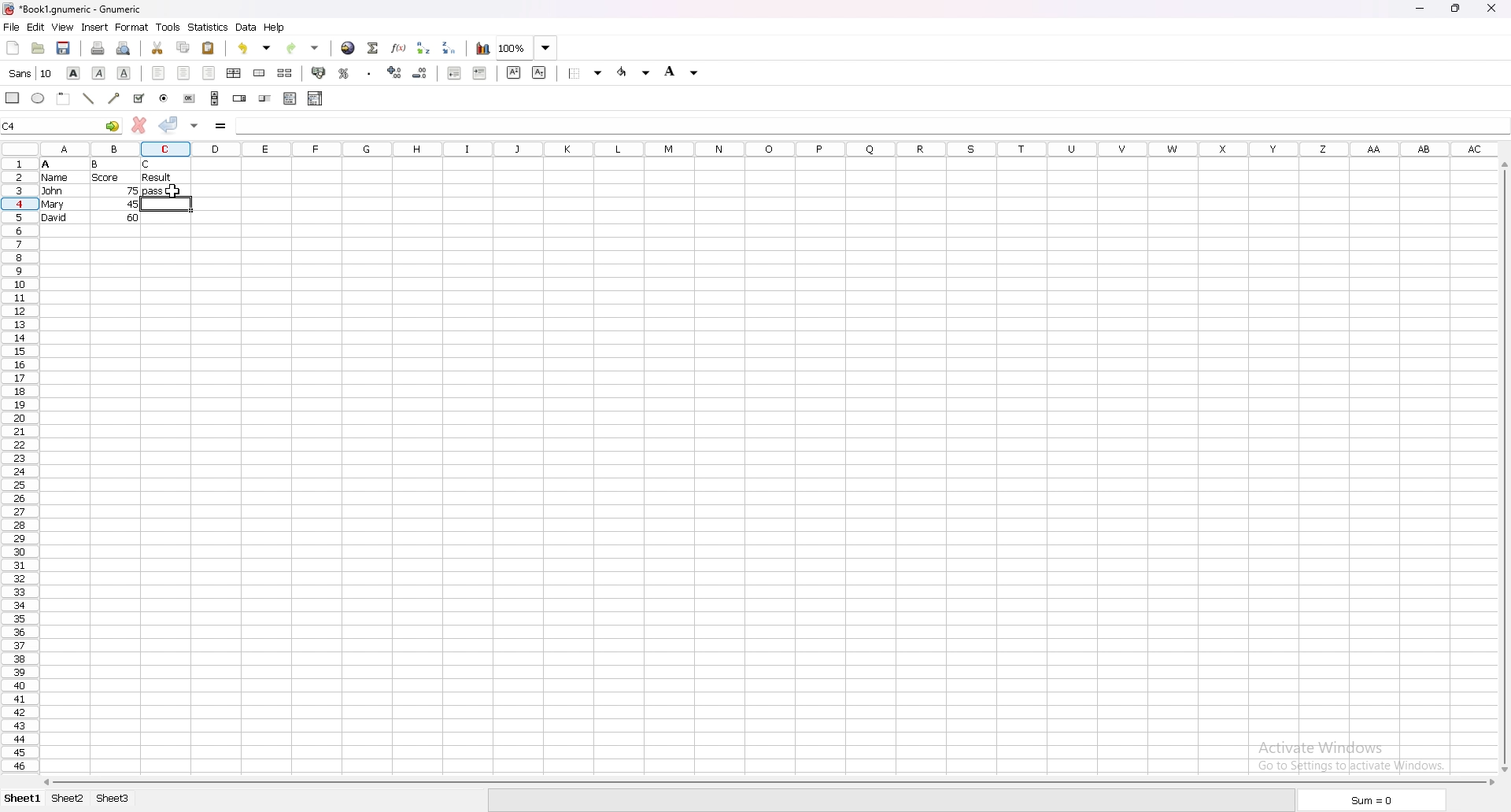 Image resolution: width=1511 pixels, height=812 pixels. What do you see at coordinates (53, 205) in the screenshot?
I see `mary` at bounding box center [53, 205].